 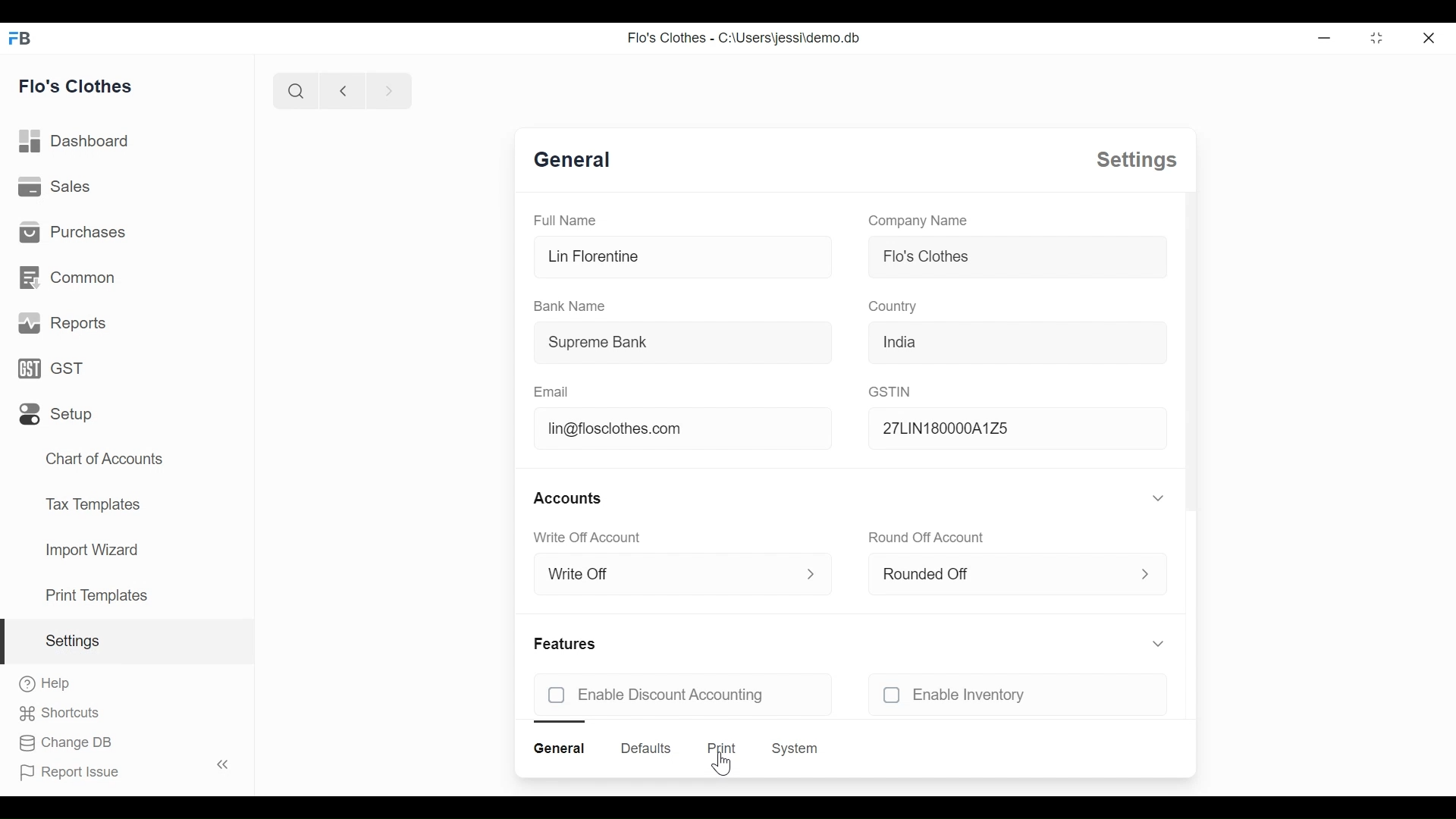 What do you see at coordinates (981, 575) in the screenshot?
I see `rounded off` at bounding box center [981, 575].